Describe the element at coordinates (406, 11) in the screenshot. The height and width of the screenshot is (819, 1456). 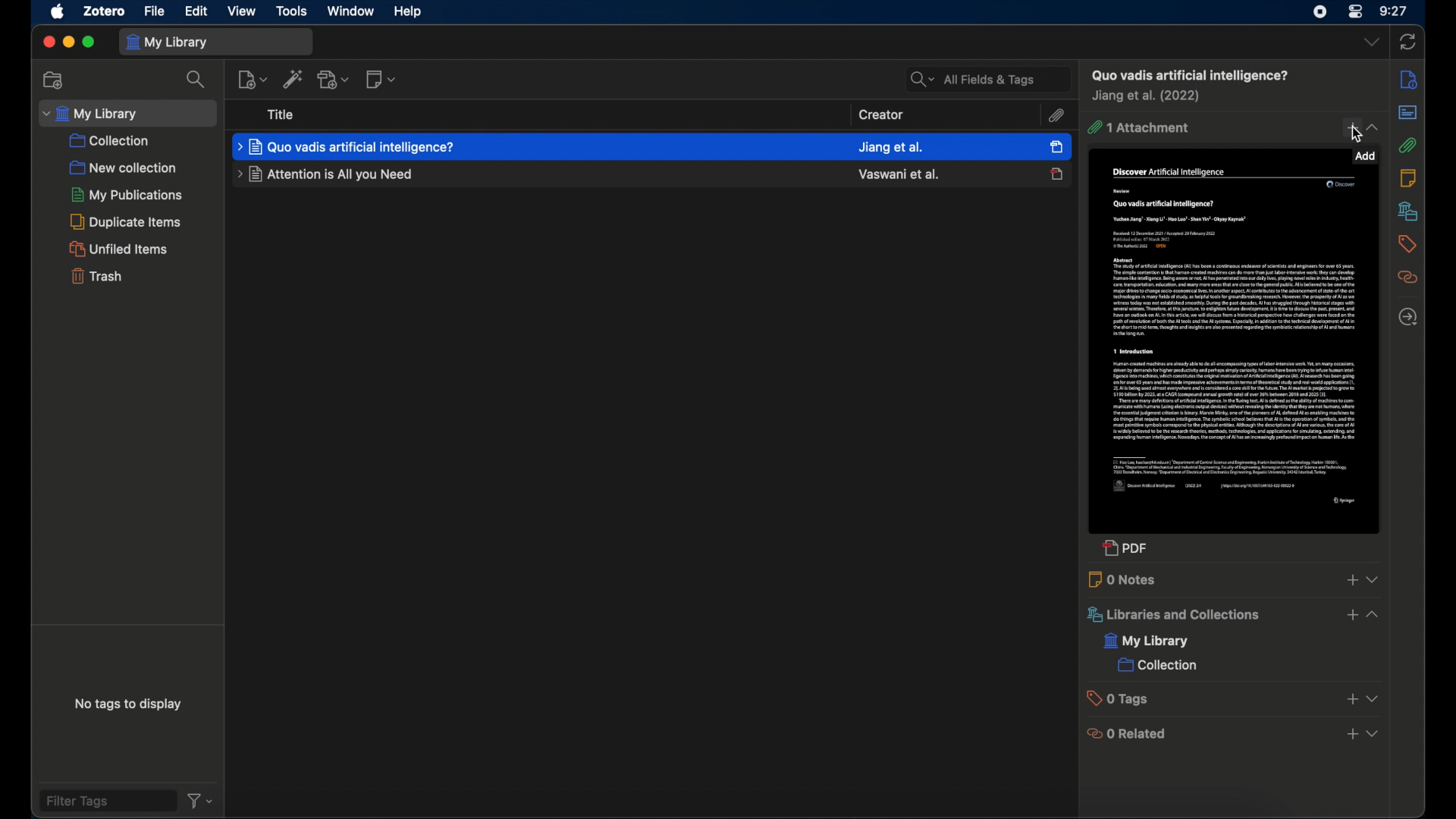
I see `help` at that location.